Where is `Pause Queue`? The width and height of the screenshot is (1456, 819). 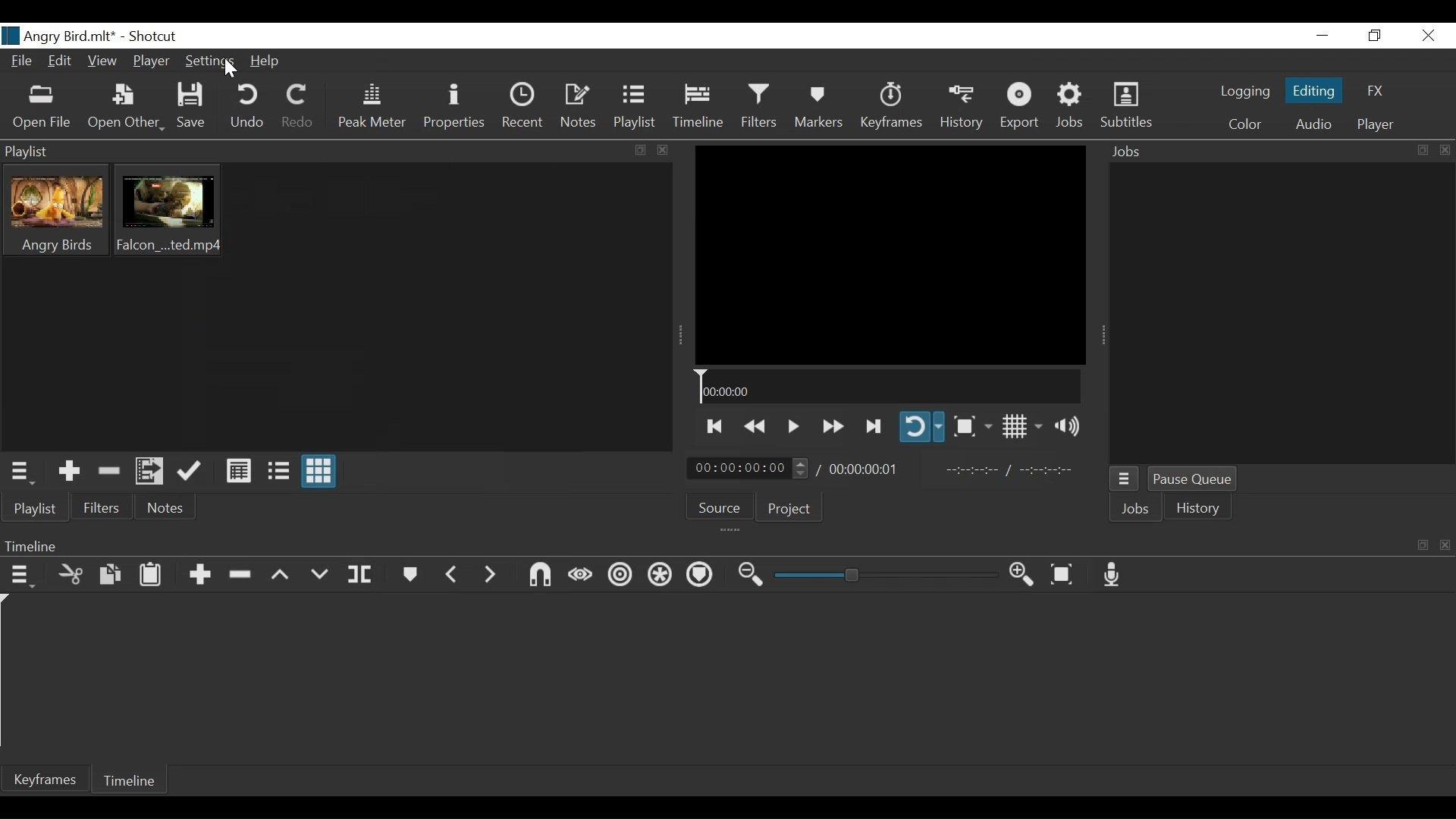 Pause Queue is located at coordinates (1194, 481).